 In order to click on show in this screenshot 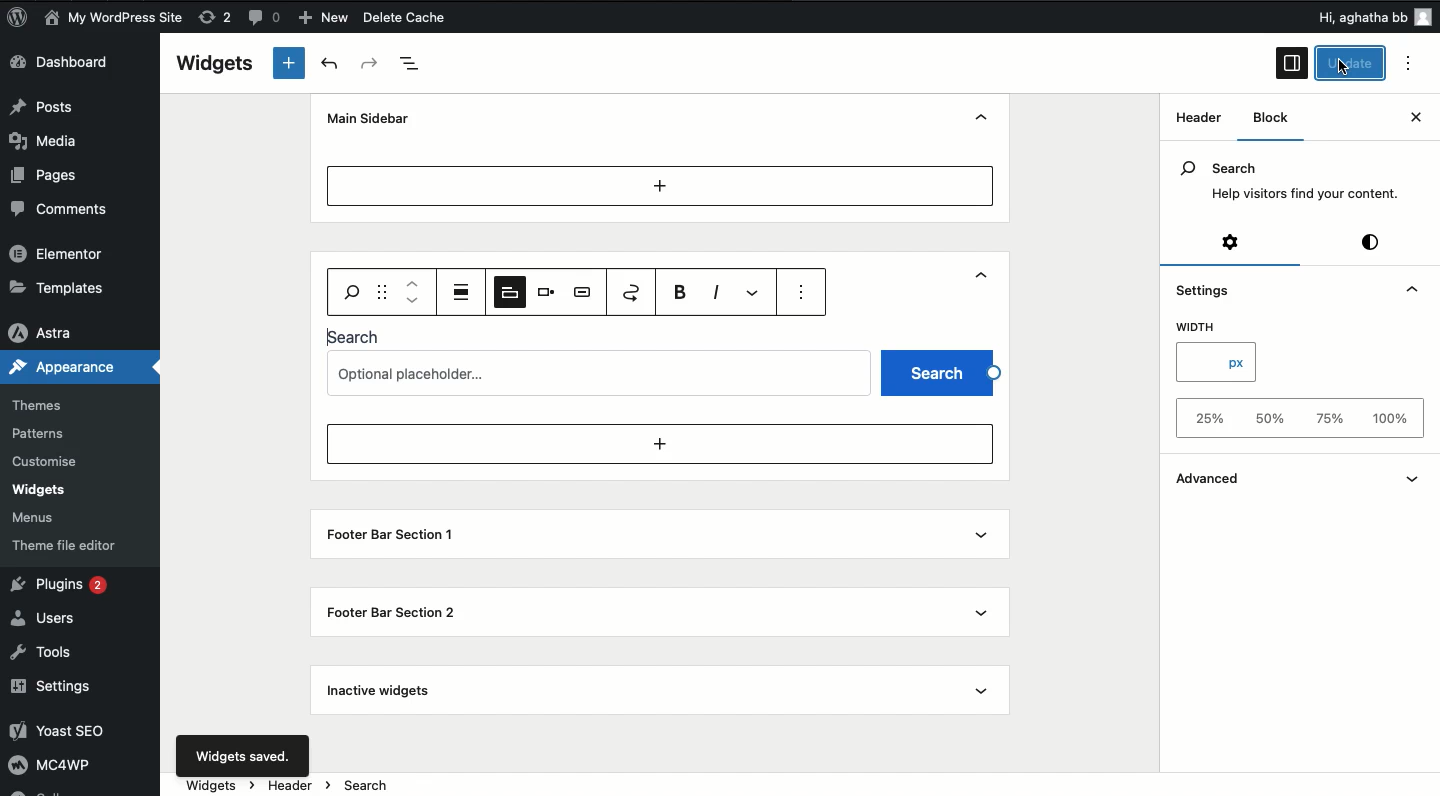, I will do `click(986, 608)`.